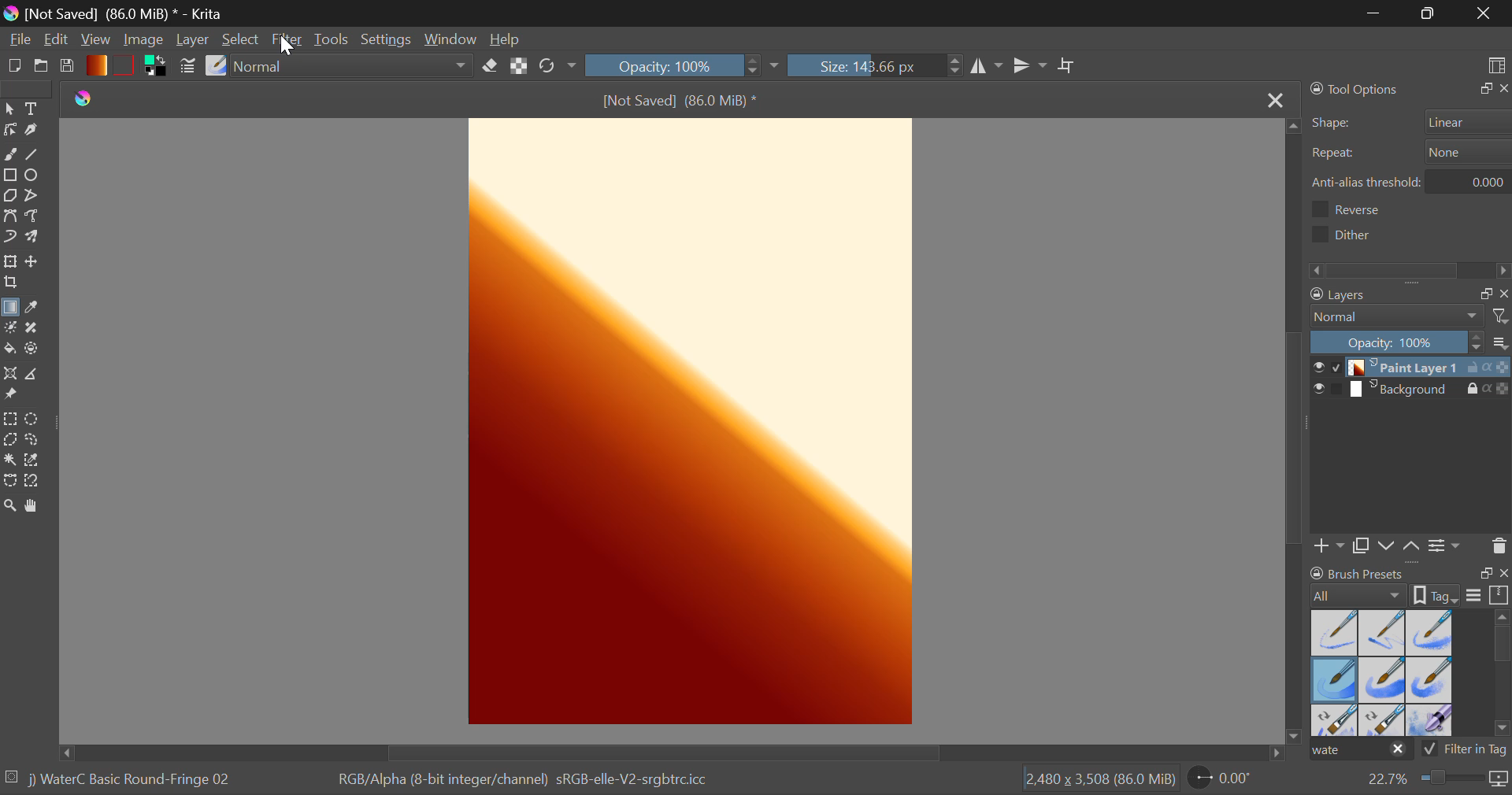 The height and width of the screenshot is (795, 1512). What do you see at coordinates (1503, 316) in the screenshot?
I see `filter` at bounding box center [1503, 316].